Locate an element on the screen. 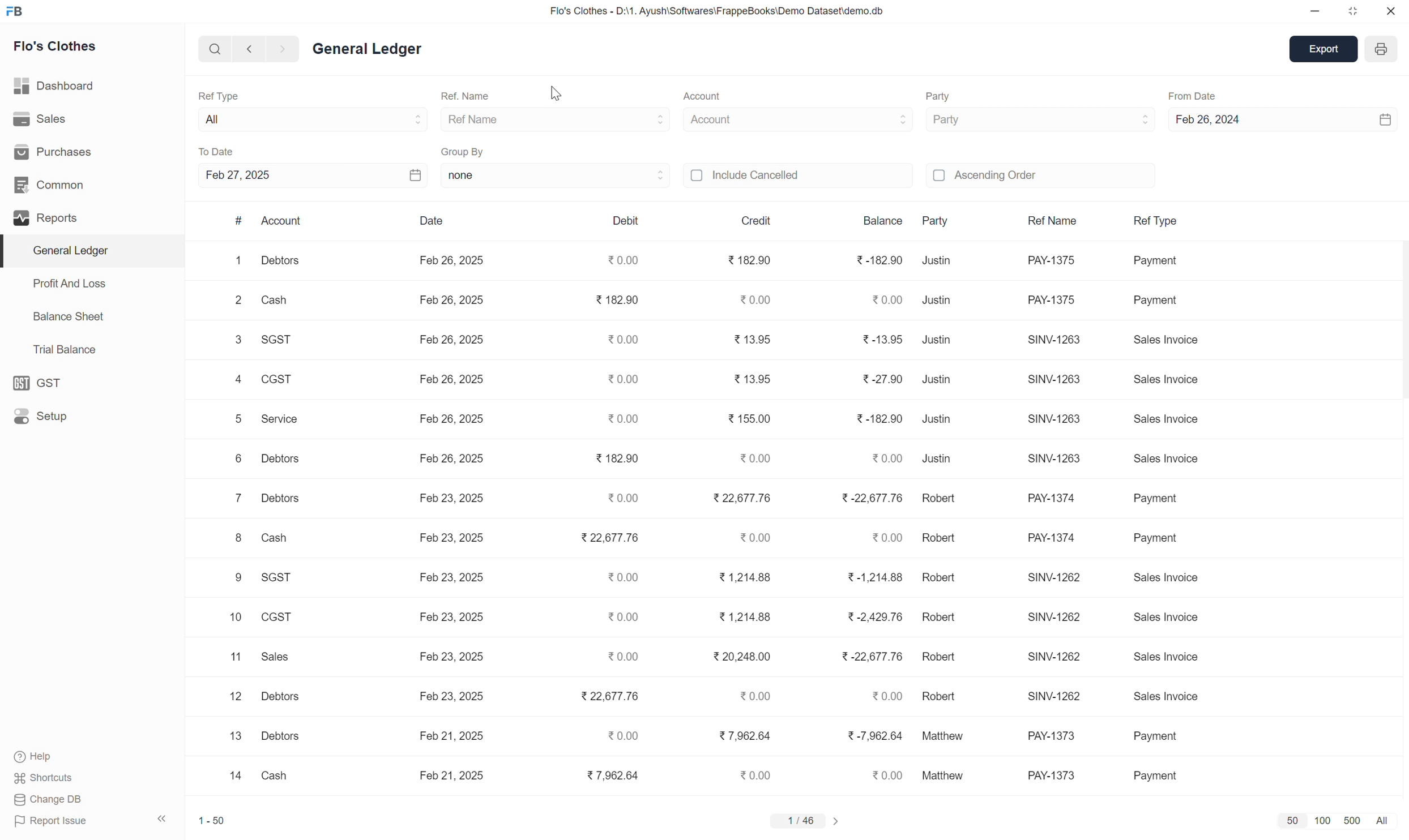 The width and height of the screenshot is (1409, 840). -27.90 is located at coordinates (882, 379).